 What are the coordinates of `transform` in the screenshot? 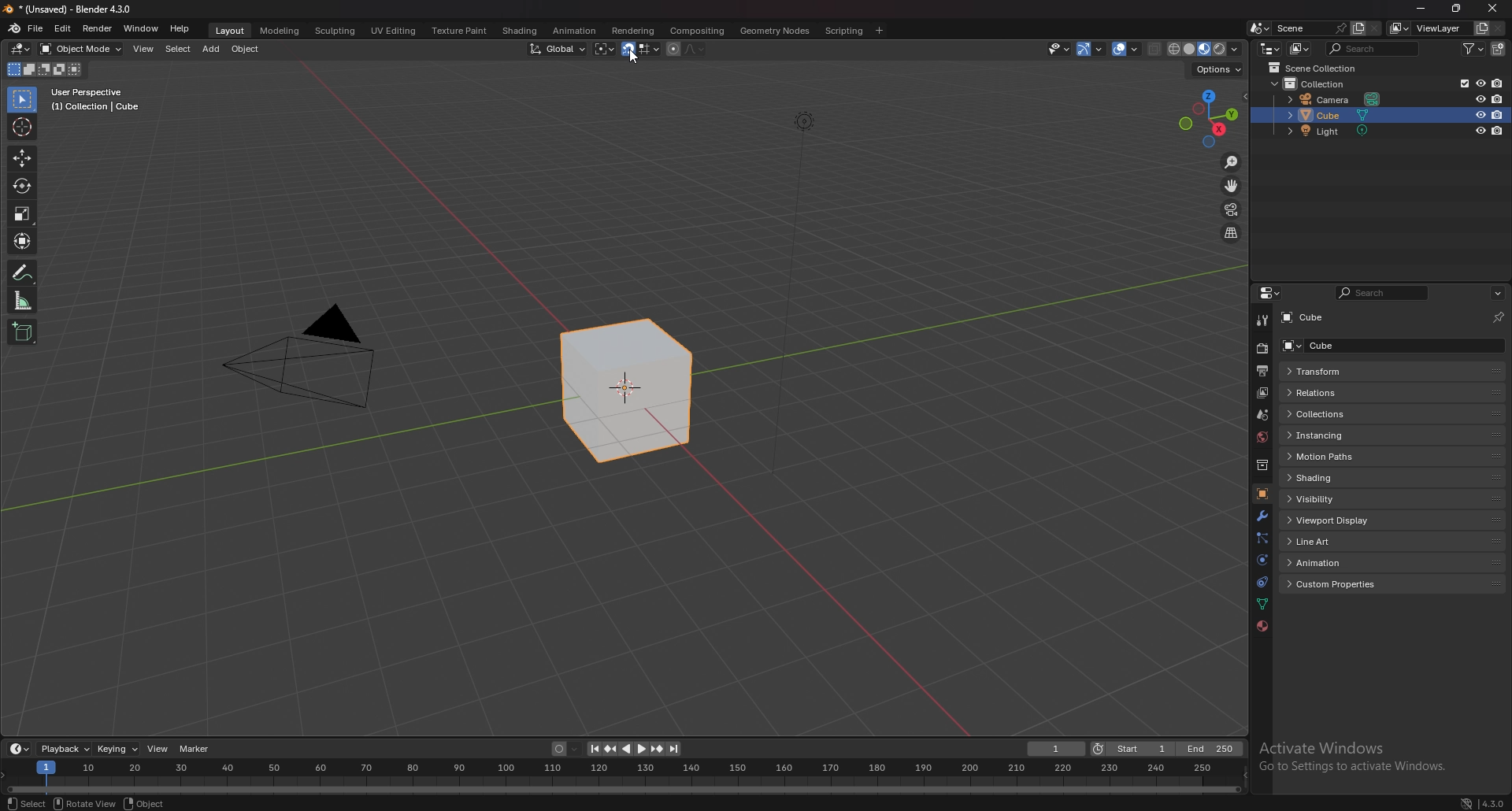 It's located at (24, 240).